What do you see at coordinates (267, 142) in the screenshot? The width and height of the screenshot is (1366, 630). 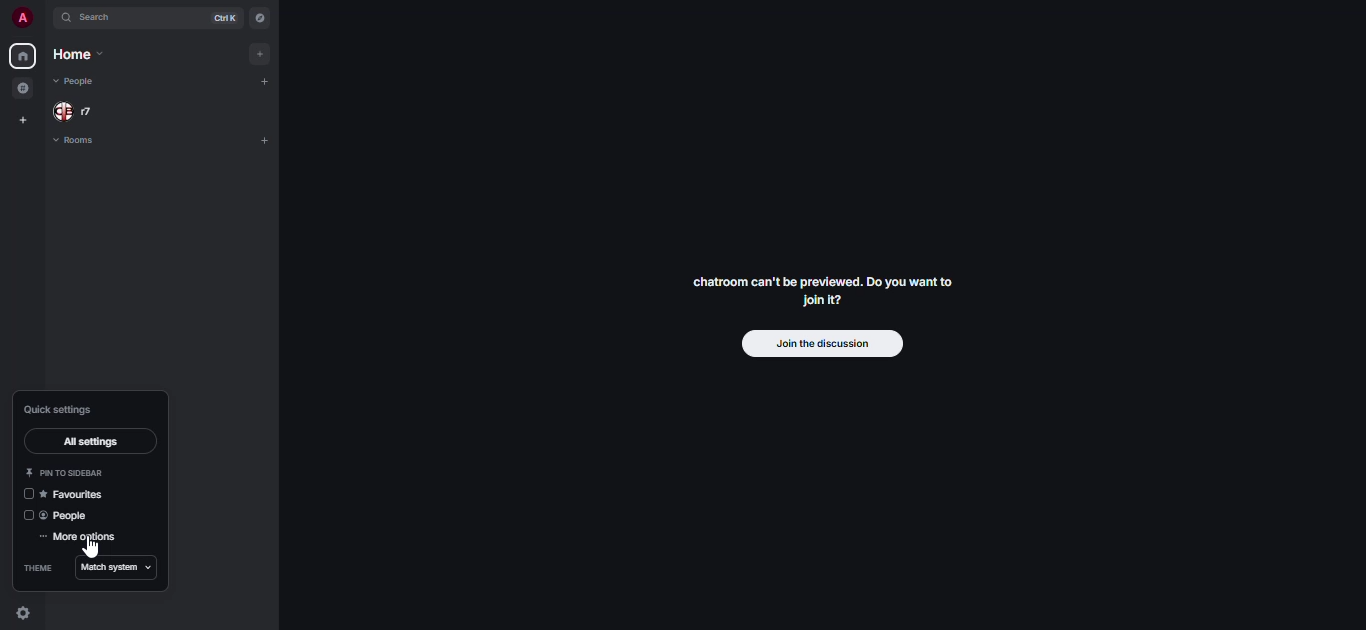 I see `add` at bounding box center [267, 142].